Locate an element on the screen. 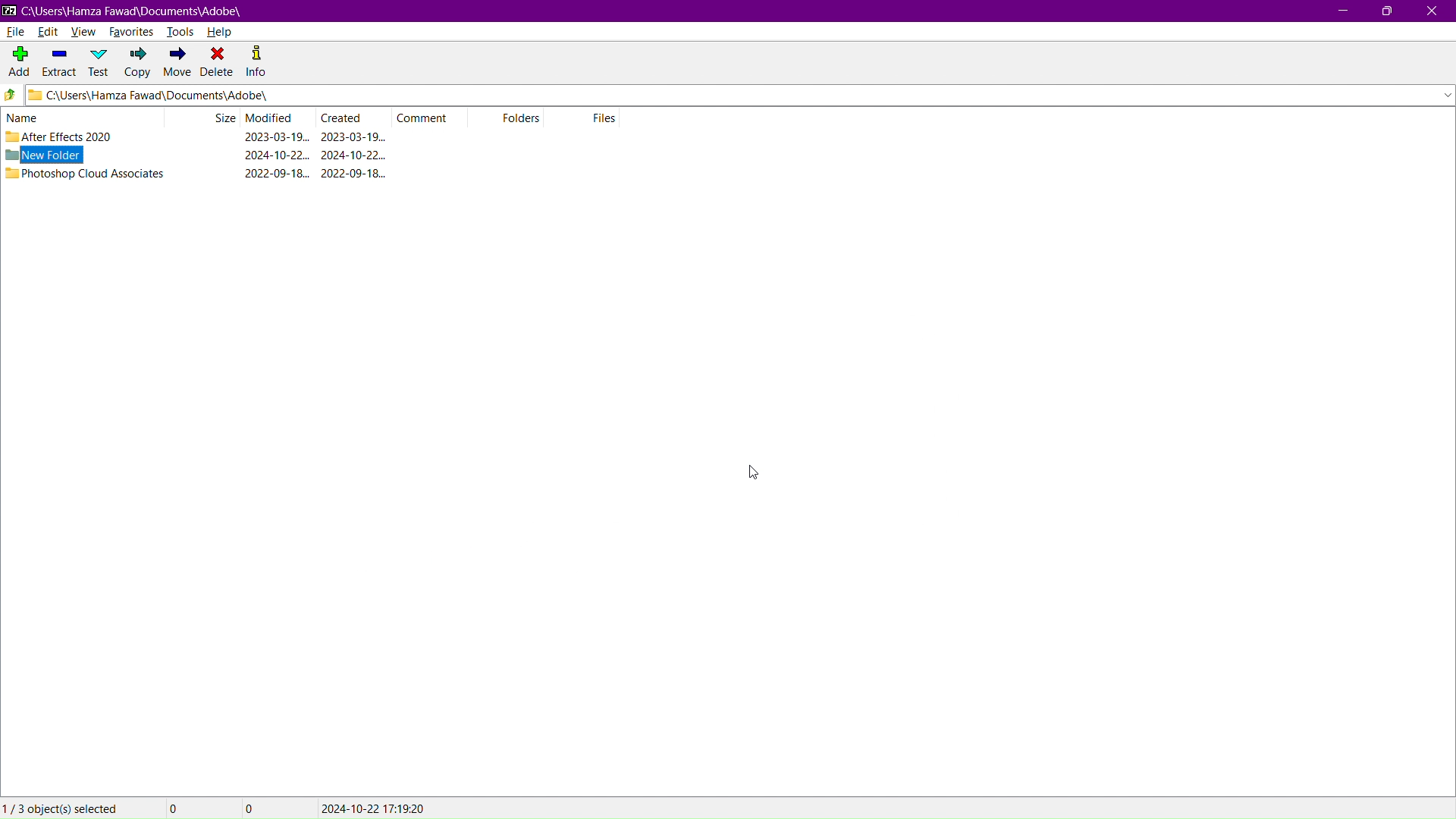 This screenshot has height=819, width=1456. Go up directory is located at coordinates (11, 96).